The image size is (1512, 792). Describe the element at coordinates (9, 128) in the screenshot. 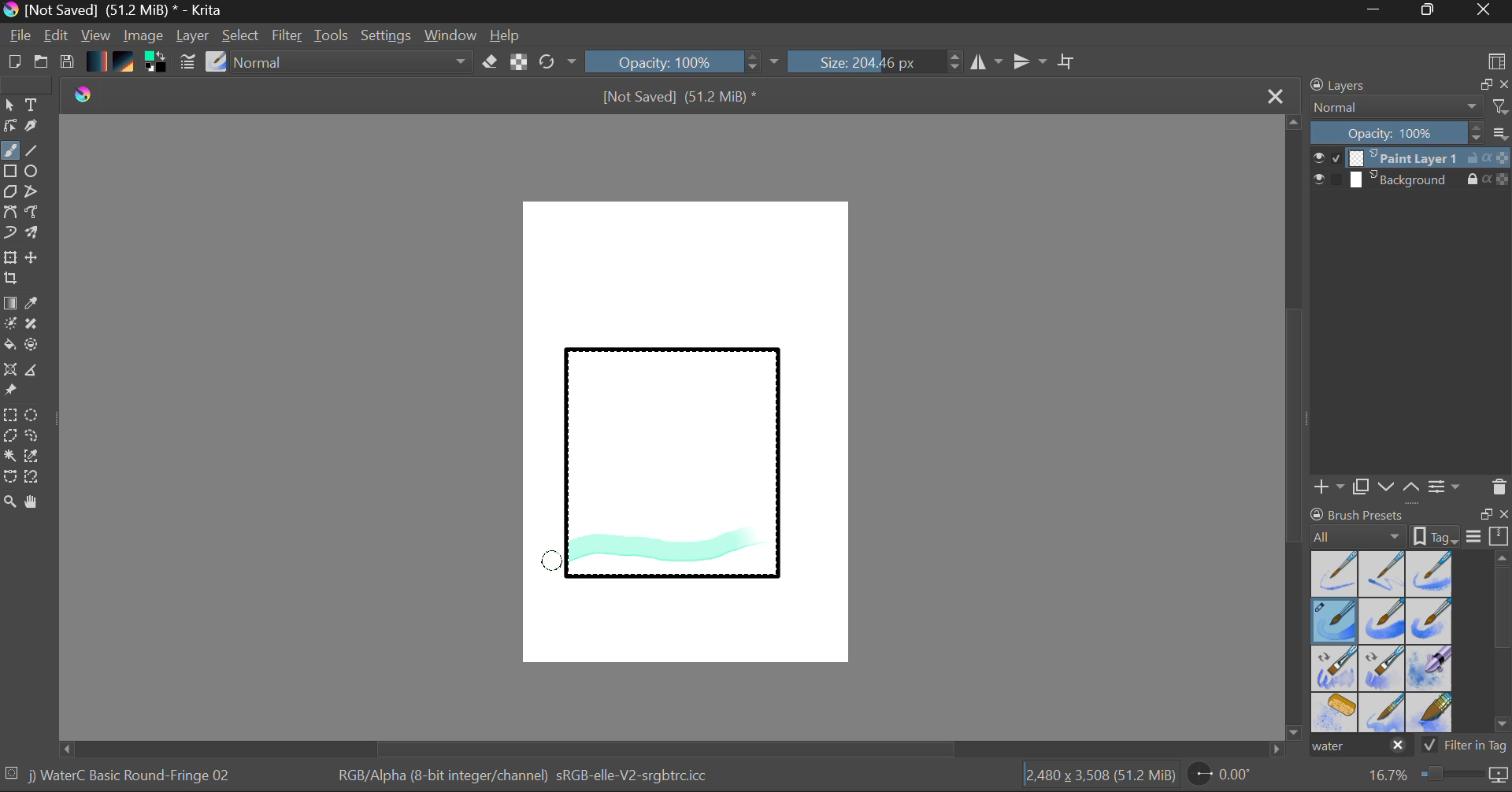

I see `Edit Shapes` at that location.